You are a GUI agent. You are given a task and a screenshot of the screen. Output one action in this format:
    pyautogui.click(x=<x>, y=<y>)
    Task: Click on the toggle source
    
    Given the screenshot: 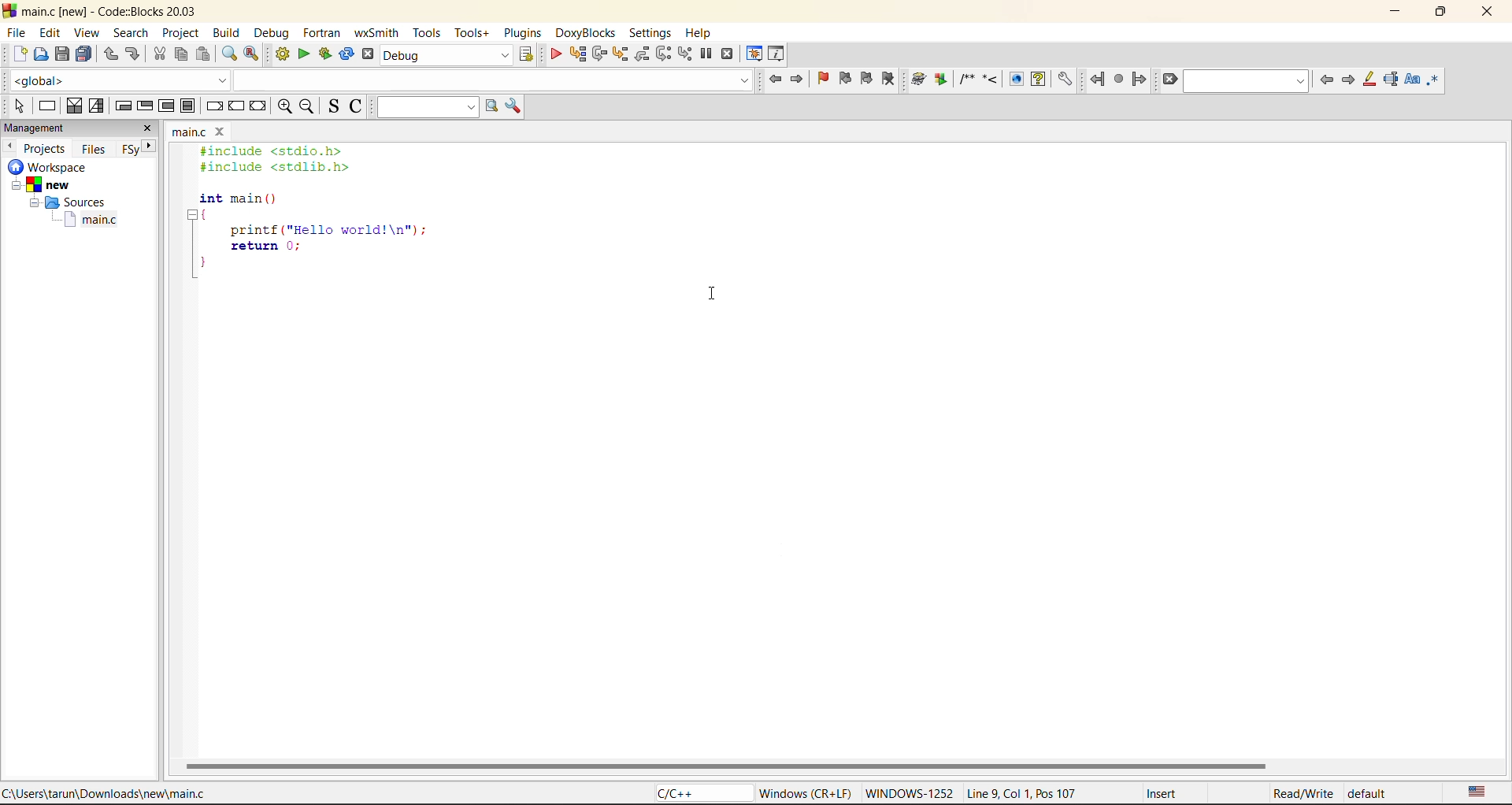 What is the action you would take?
    pyautogui.click(x=333, y=106)
    